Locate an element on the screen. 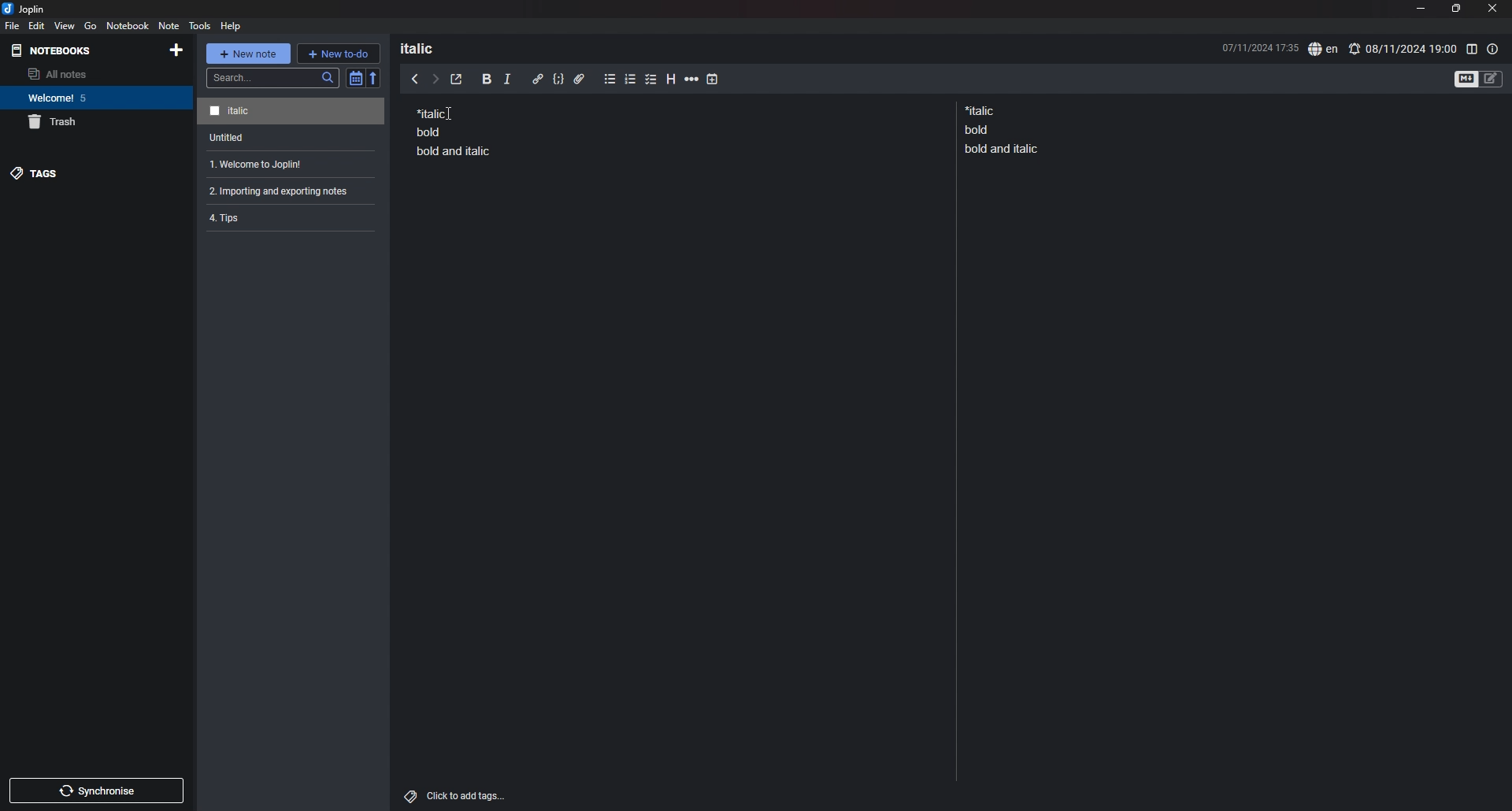 The height and width of the screenshot is (811, 1512). heading is located at coordinates (427, 48).